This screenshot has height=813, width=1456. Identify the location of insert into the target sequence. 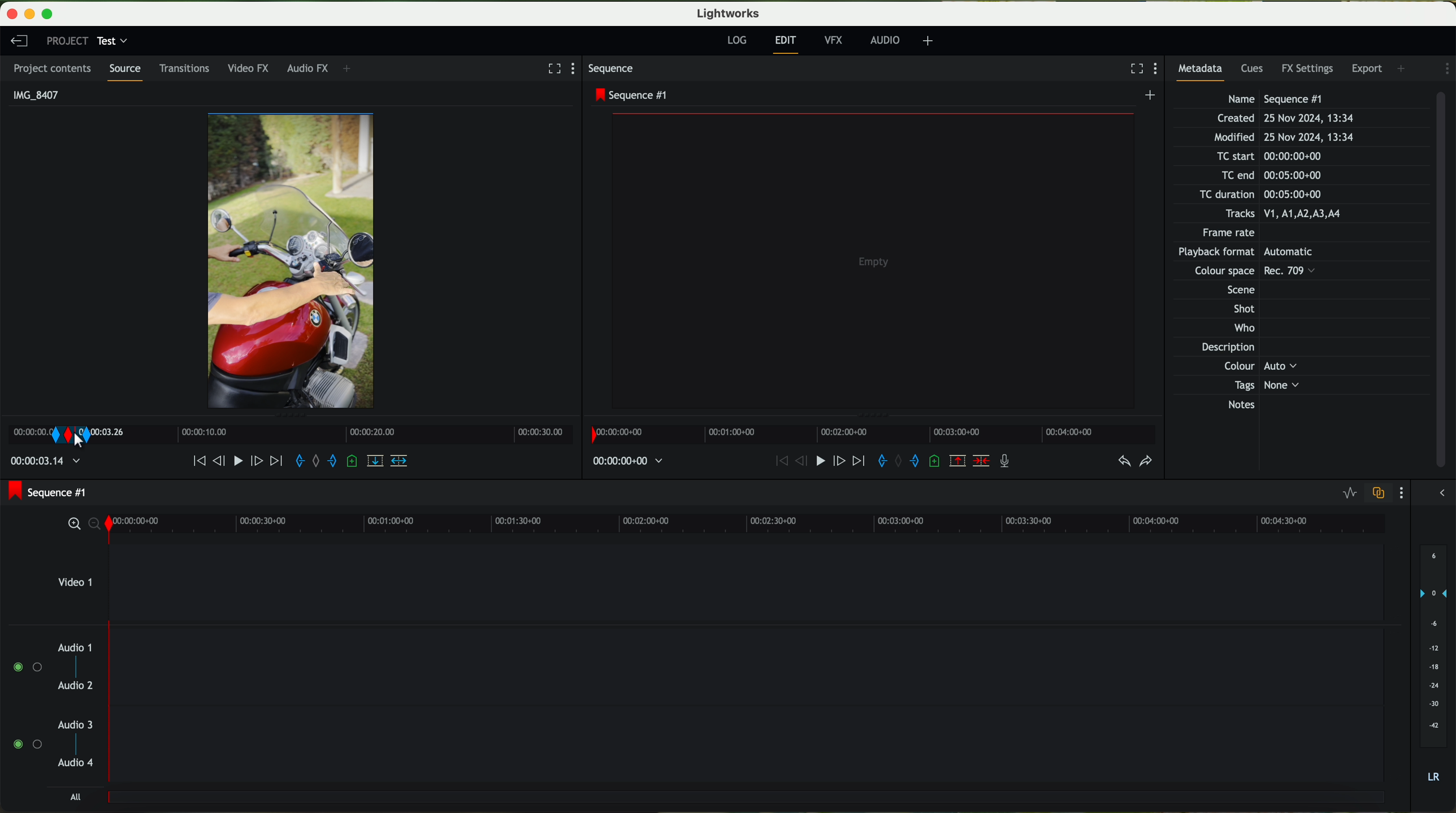
(400, 460).